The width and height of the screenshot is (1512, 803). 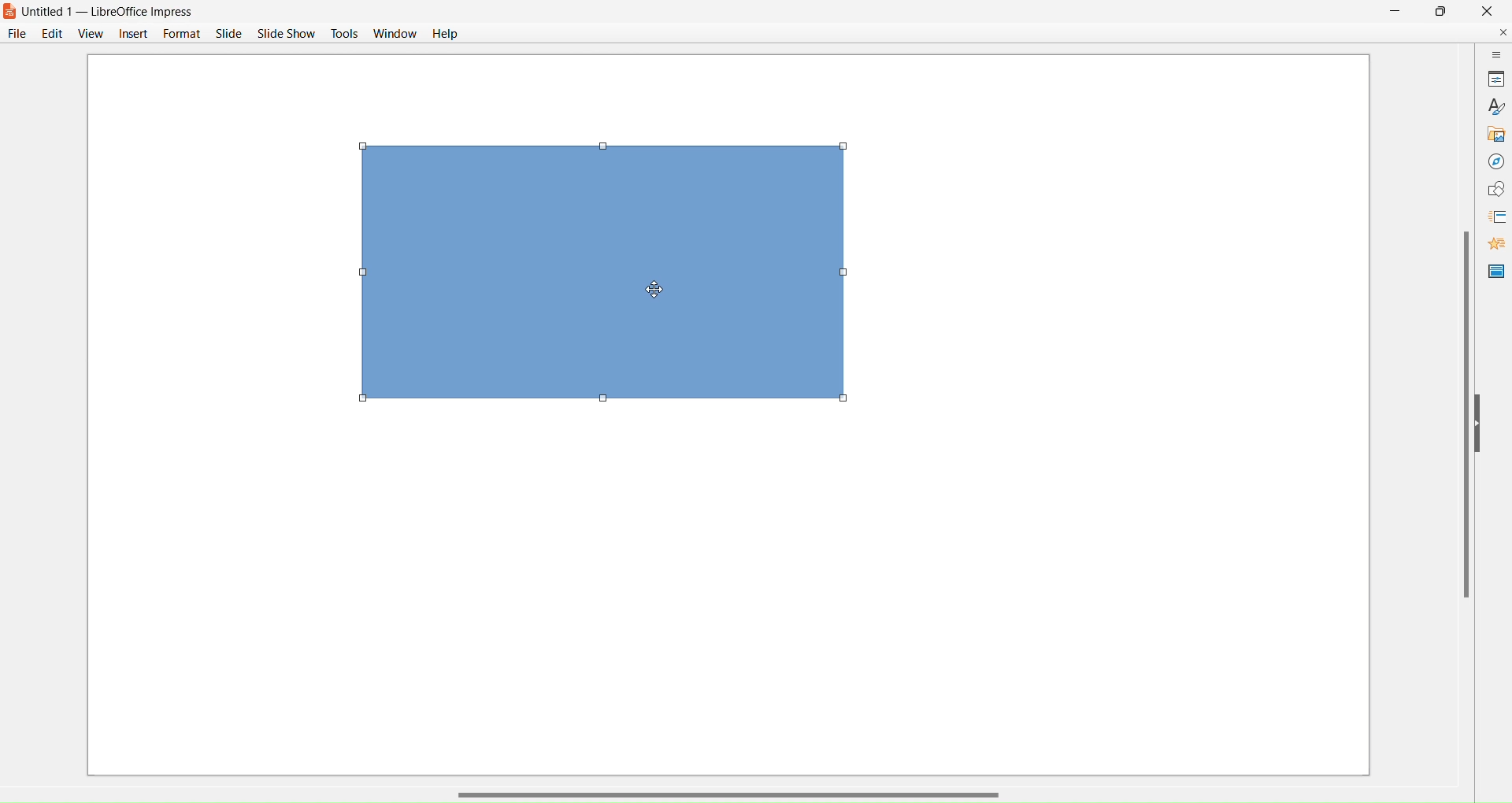 What do you see at coordinates (100, 9) in the screenshot?
I see `s Untitled 1 — LibreOffice Impress` at bounding box center [100, 9].